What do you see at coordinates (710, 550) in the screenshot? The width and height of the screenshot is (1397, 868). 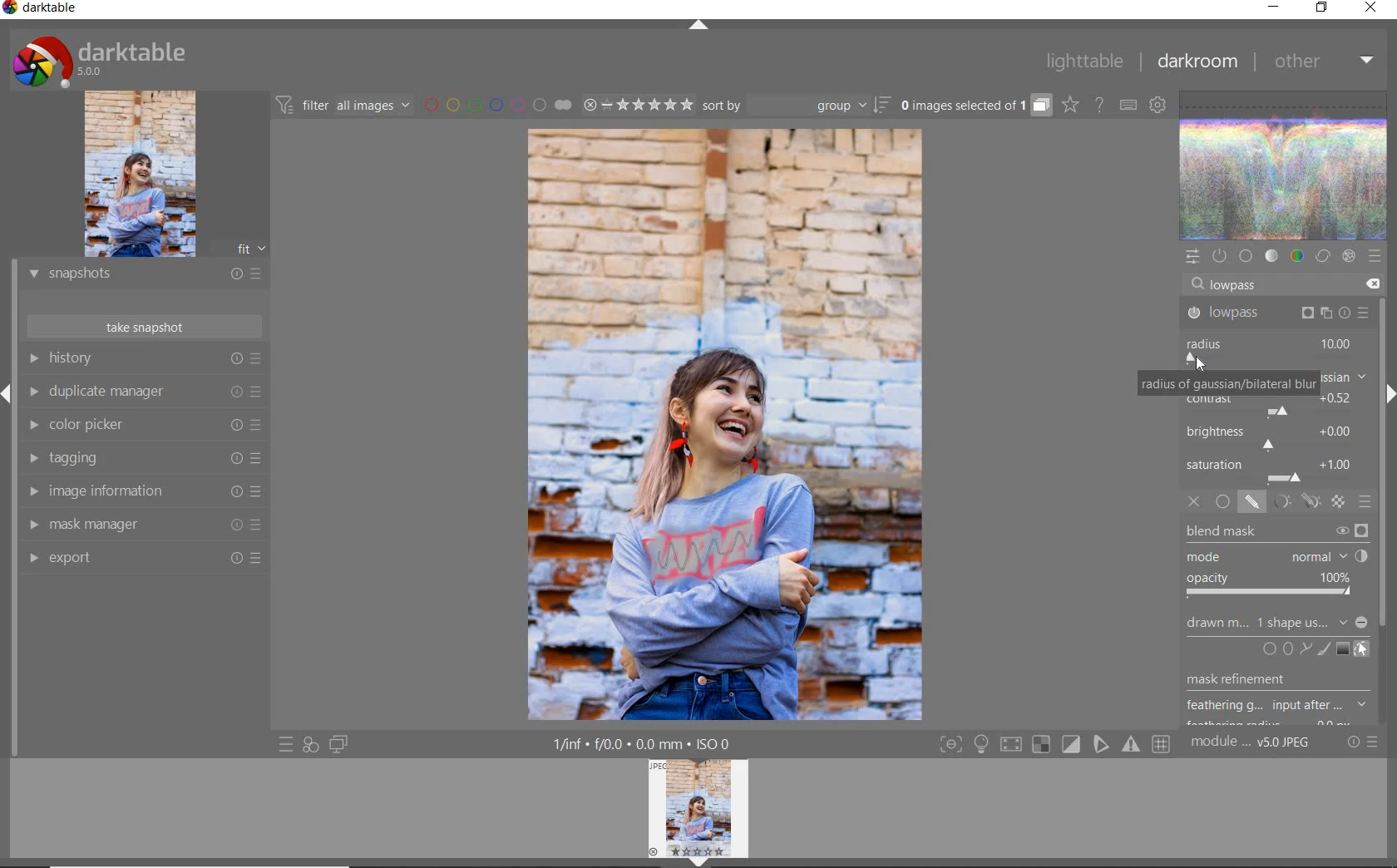 I see `area painted` at bounding box center [710, 550].